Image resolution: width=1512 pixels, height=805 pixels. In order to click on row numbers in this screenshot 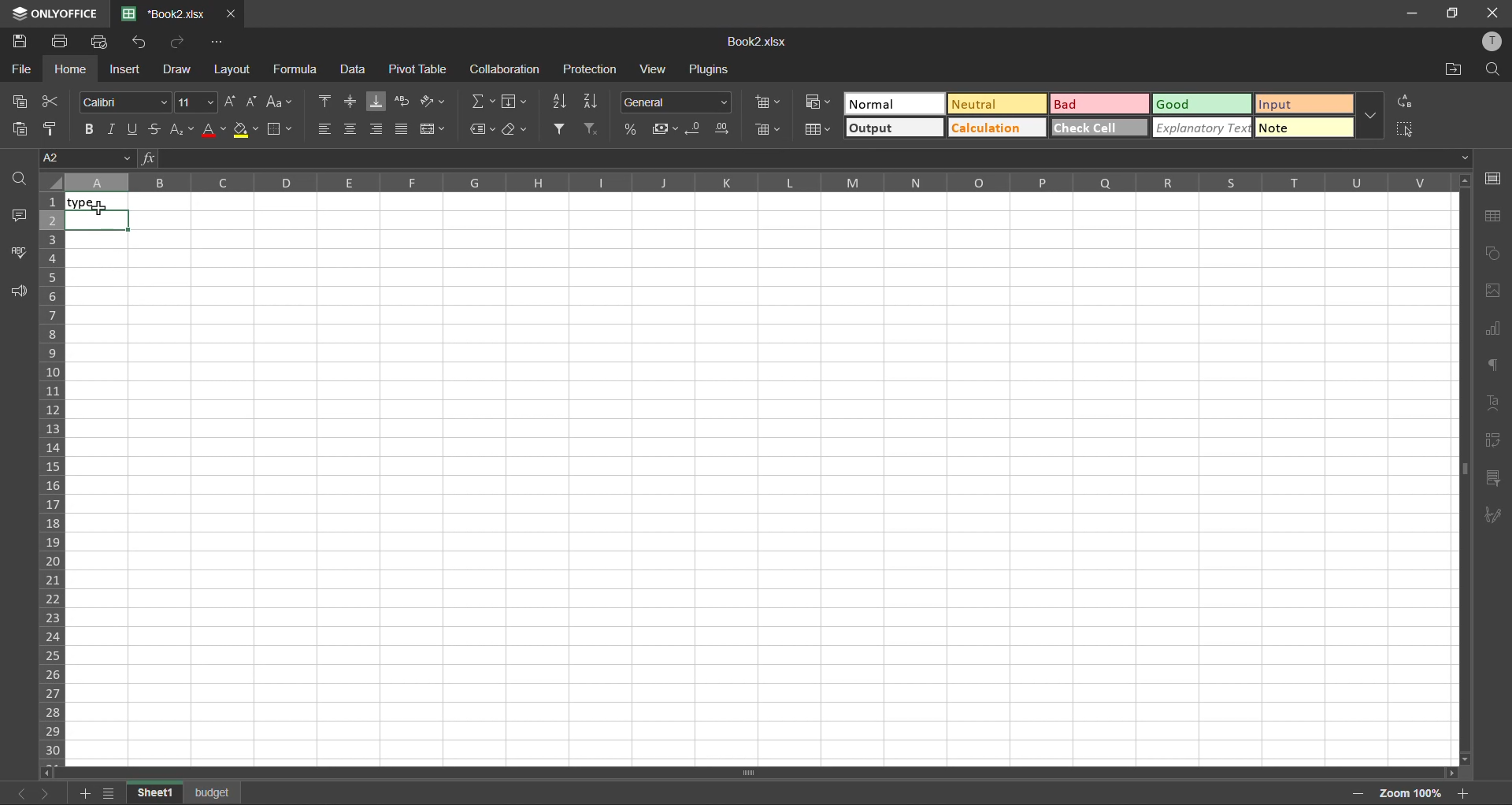, I will do `click(51, 476)`.